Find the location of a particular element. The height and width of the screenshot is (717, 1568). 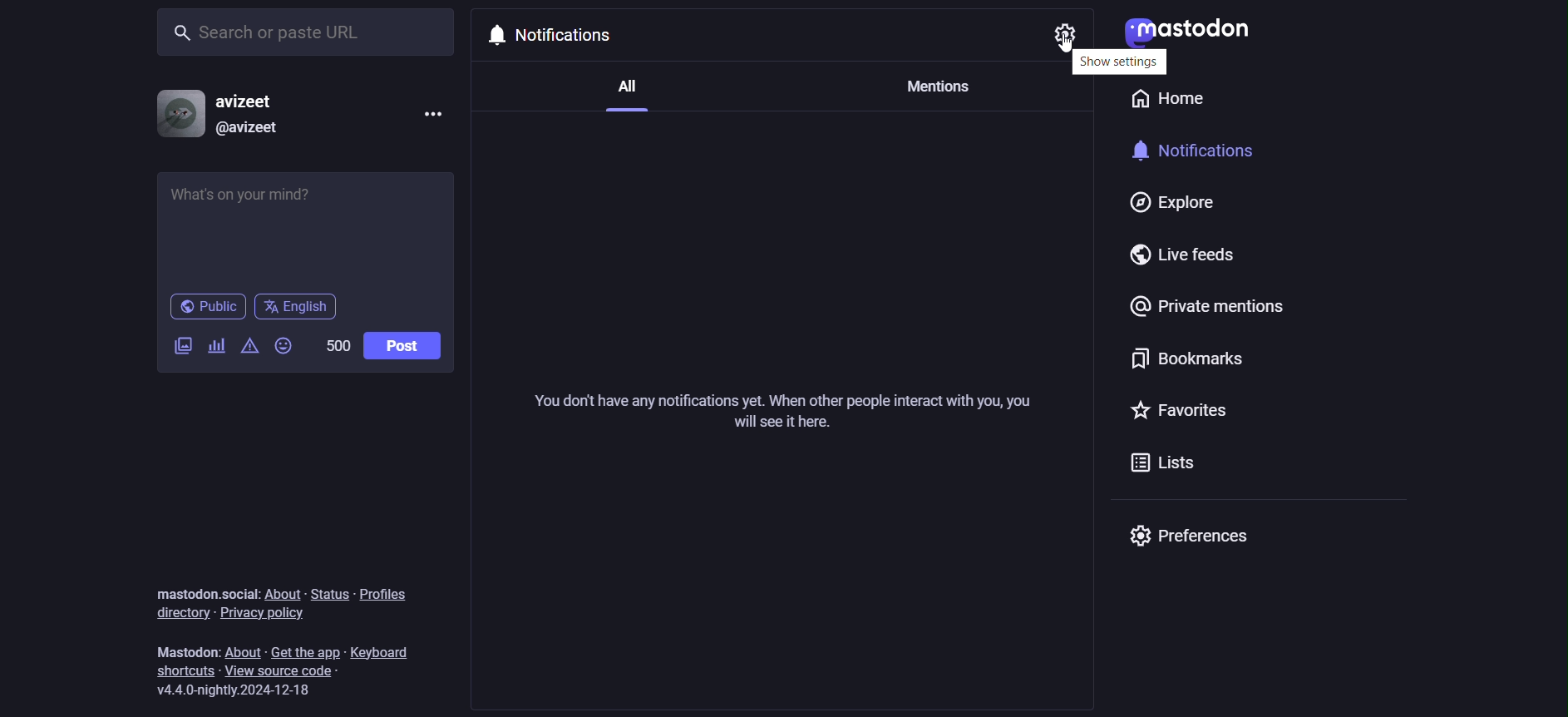

what's on your mind? is located at coordinates (306, 227).